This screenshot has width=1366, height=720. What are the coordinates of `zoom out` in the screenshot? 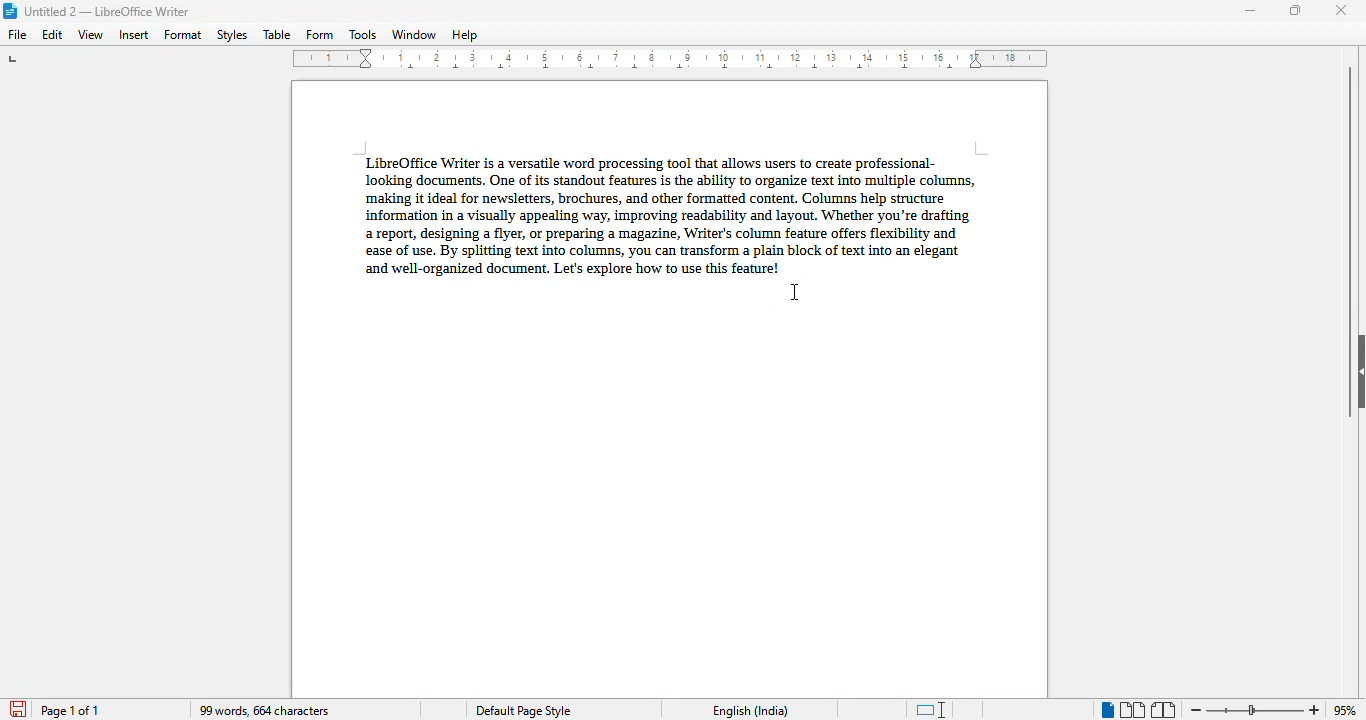 It's located at (1197, 710).